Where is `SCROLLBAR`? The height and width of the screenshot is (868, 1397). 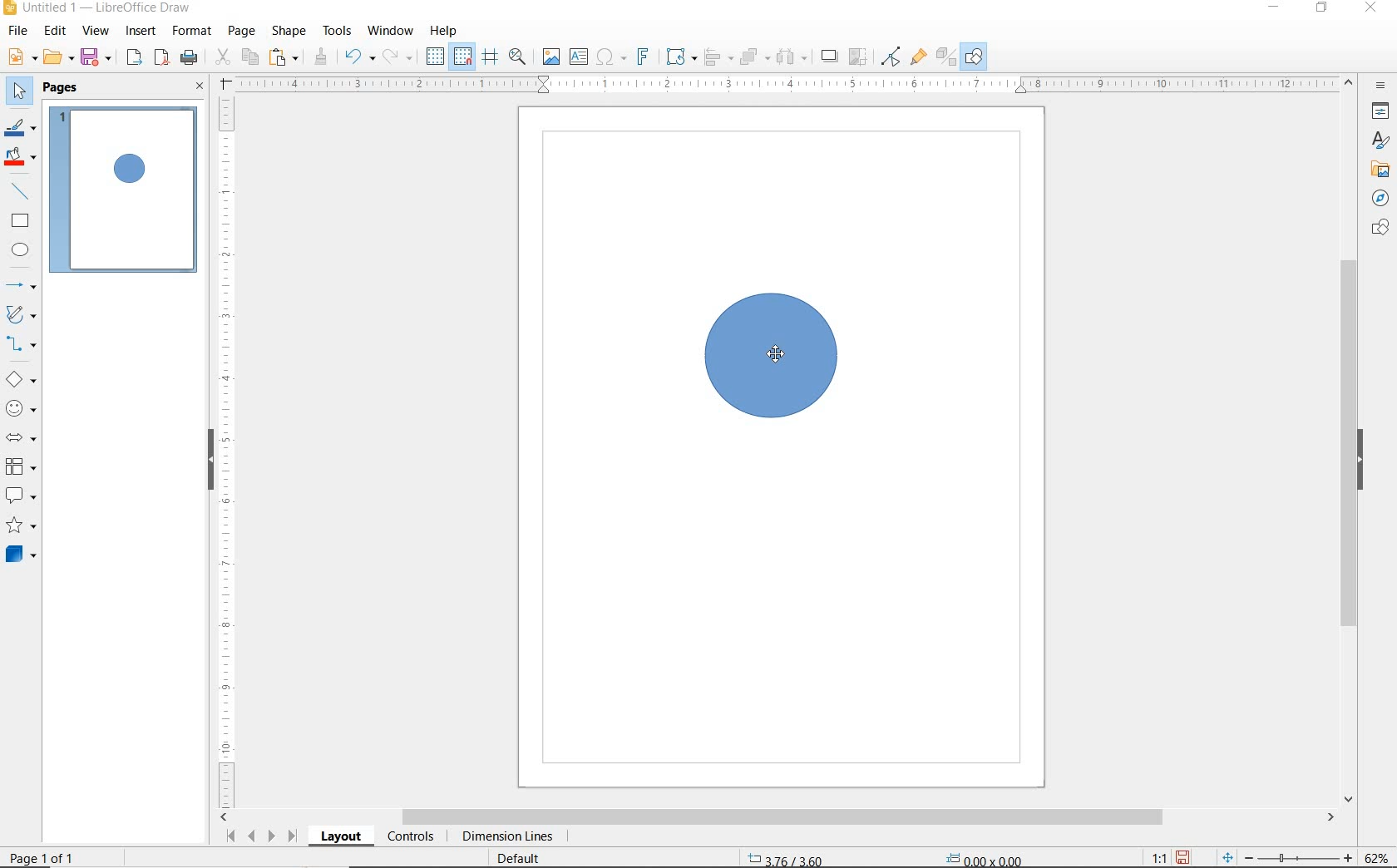 SCROLLBAR is located at coordinates (1347, 440).